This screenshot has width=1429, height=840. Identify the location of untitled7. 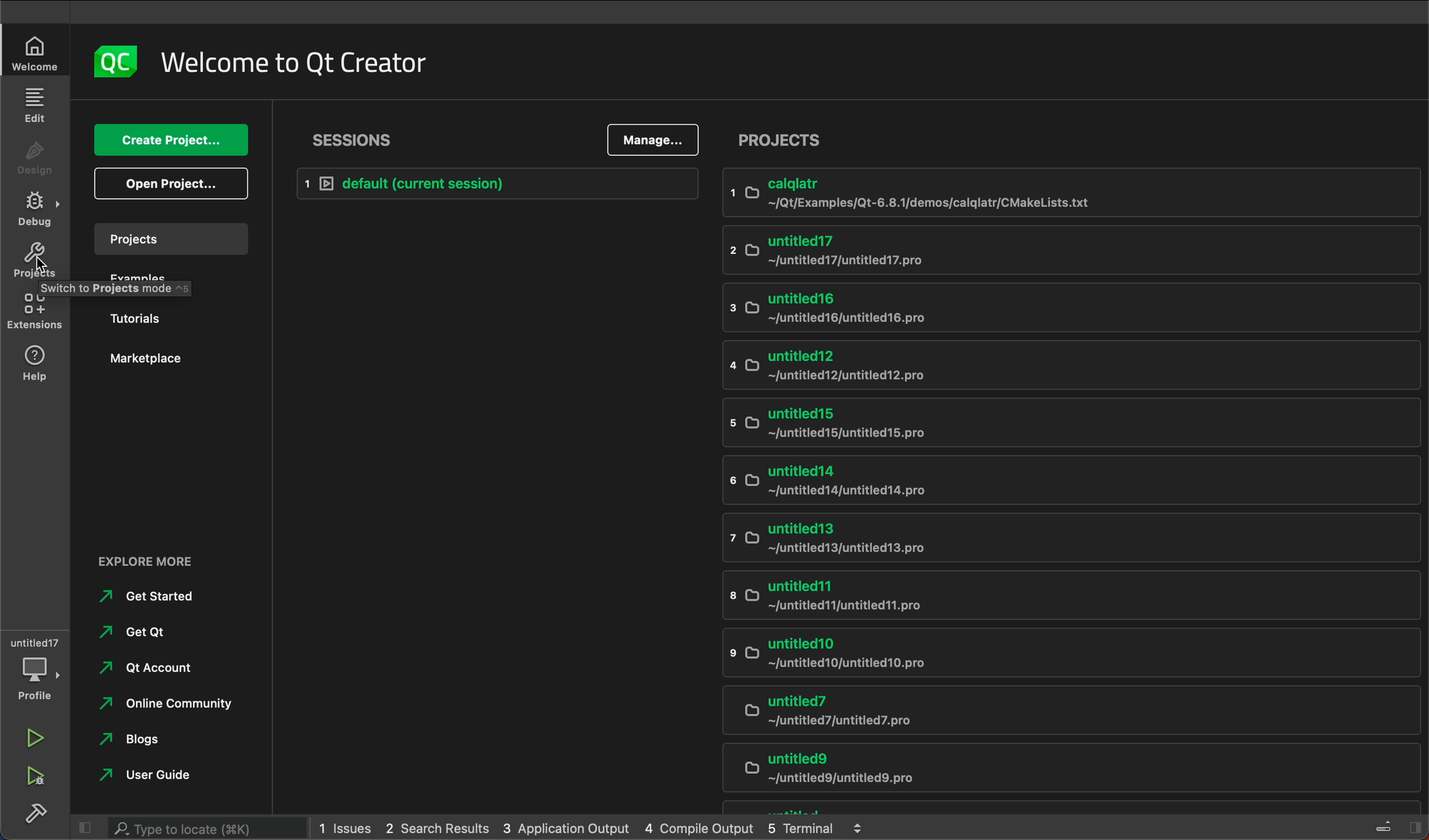
(1052, 710).